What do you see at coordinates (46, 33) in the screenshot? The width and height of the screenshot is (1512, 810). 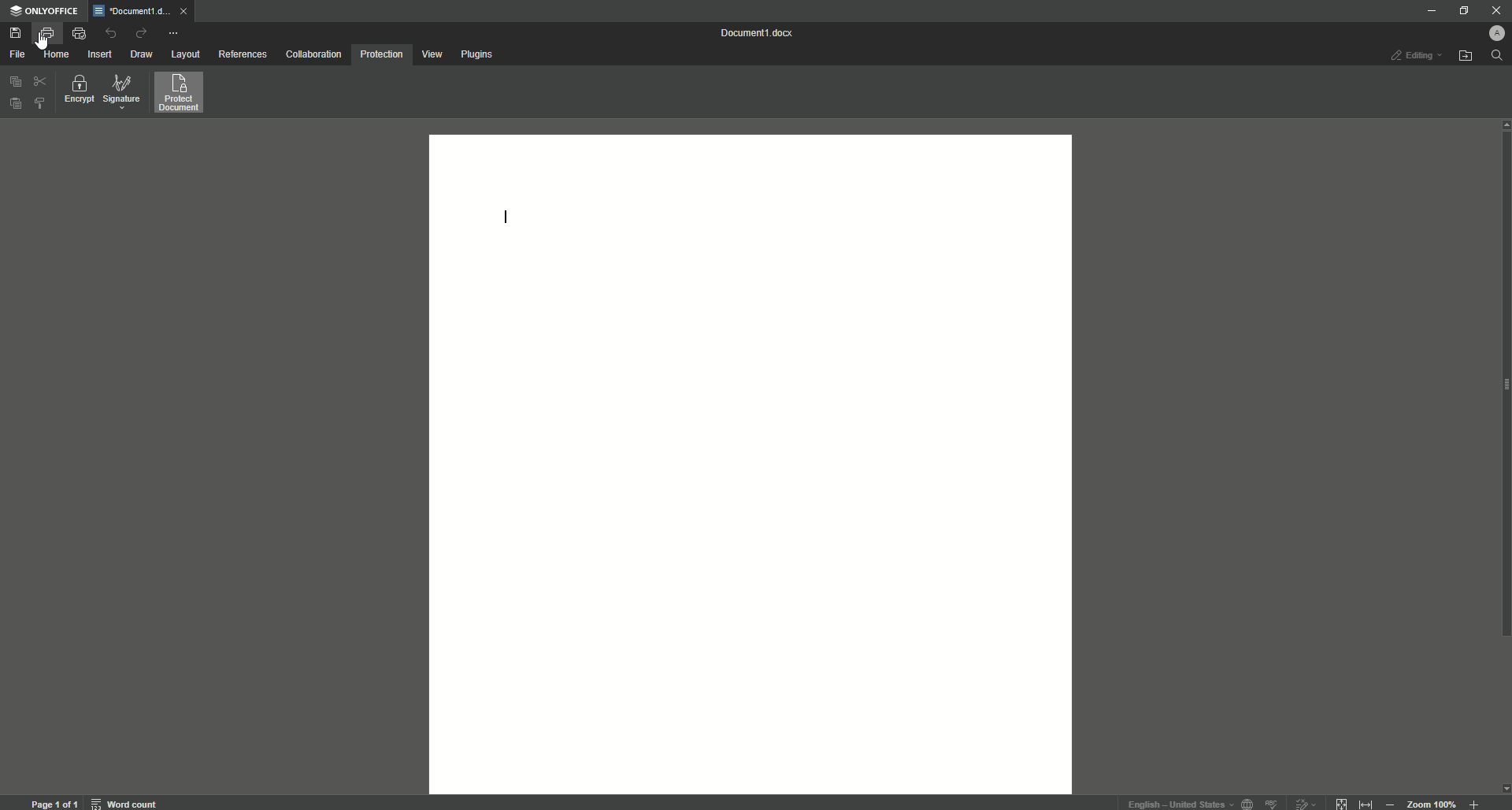 I see `Print` at bounding box center [46, 33].